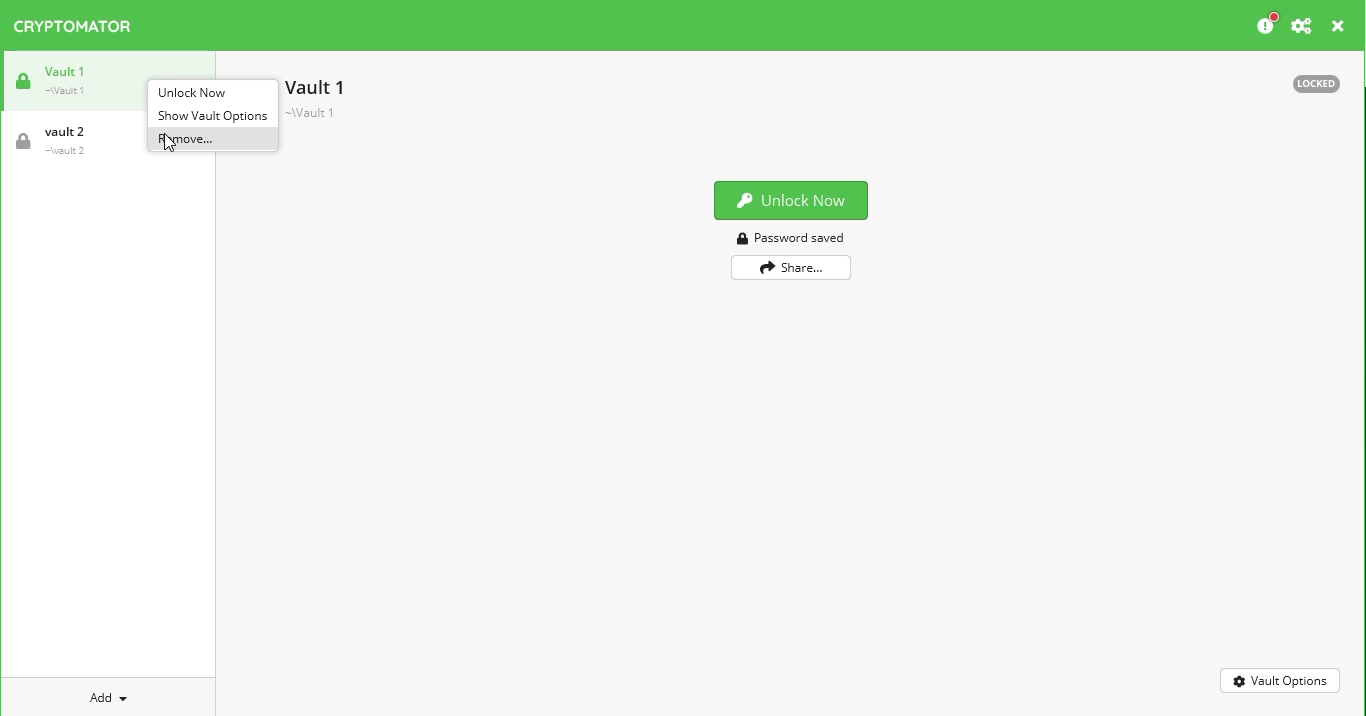  What do you see at coordinates (1302, 26) in the screenshot?
I see `preferences` at bounding box center [1302, 26].